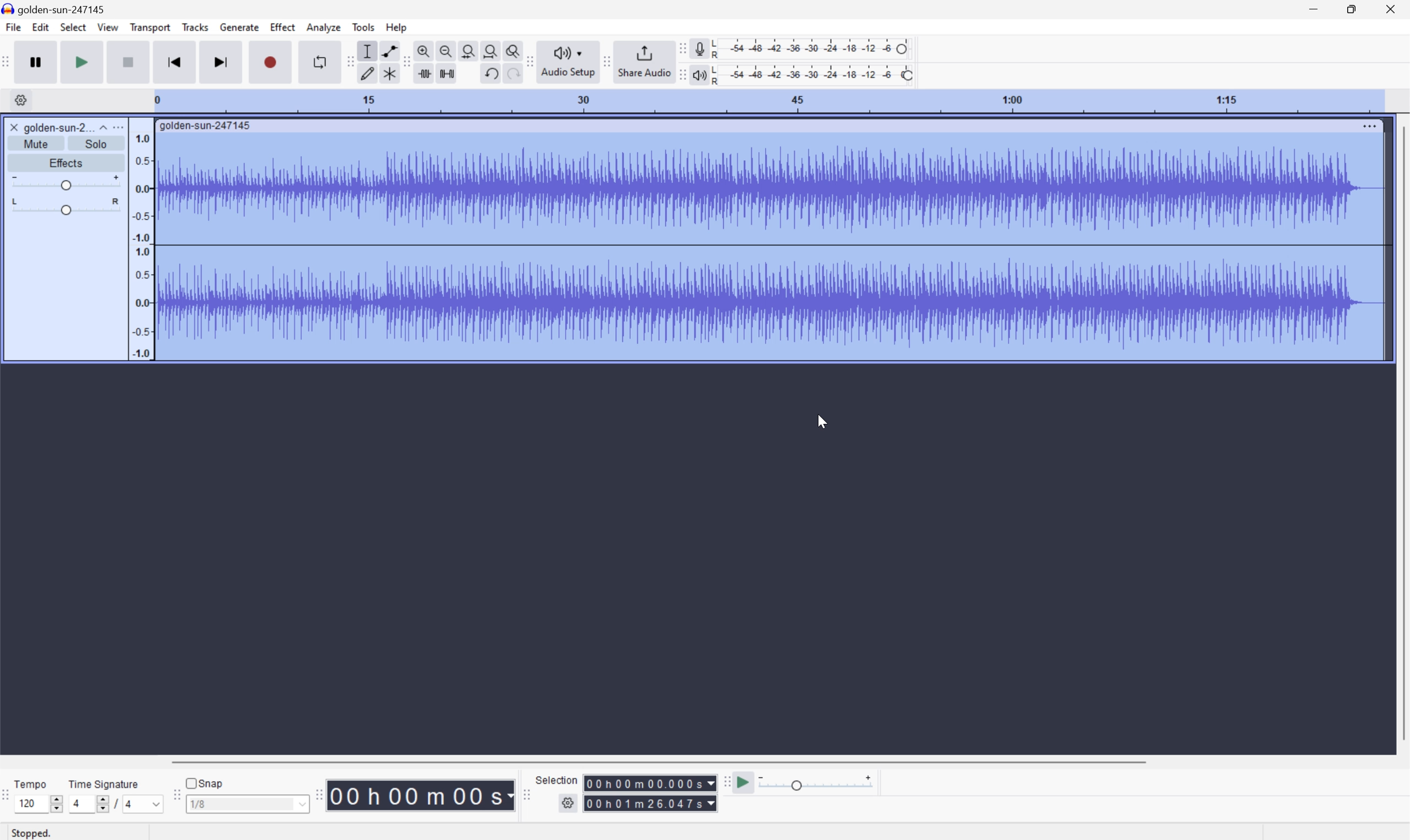  Describe the element at coordinates (174, 62) in the screenshot. I see `Skip to start` at that location.